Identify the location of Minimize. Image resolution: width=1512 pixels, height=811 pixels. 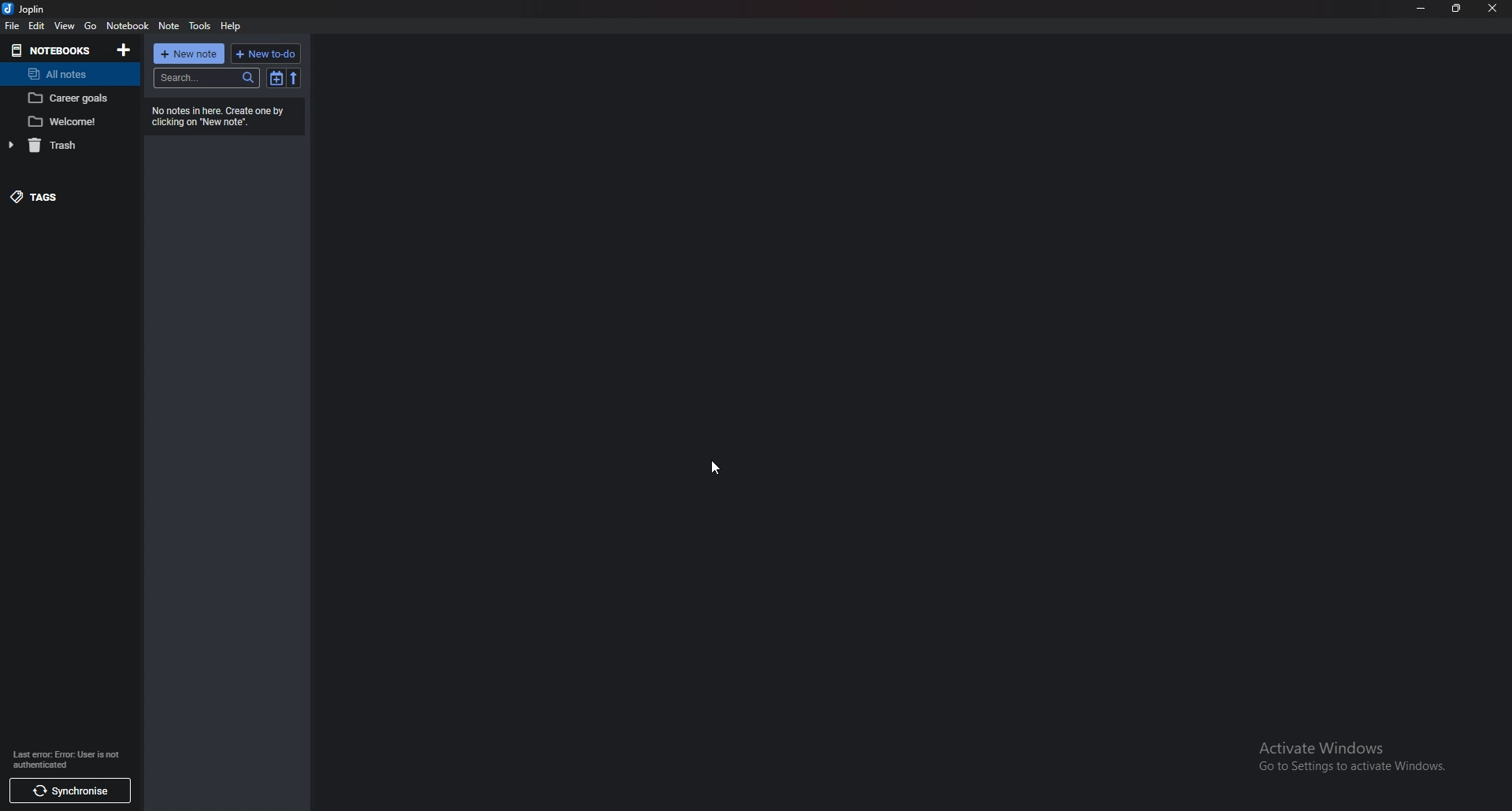
(1421, 7).